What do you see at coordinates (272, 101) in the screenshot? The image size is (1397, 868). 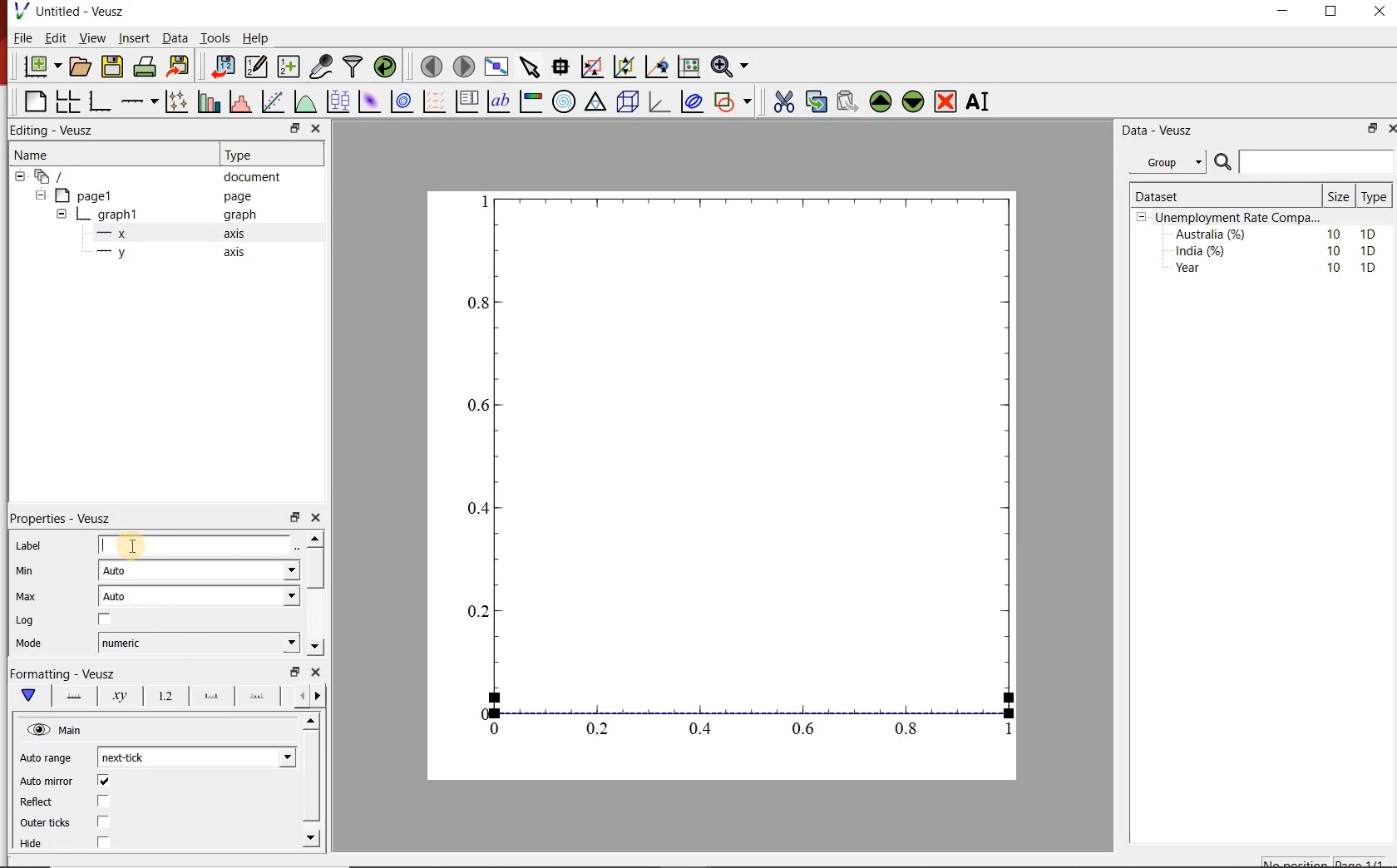 I see `fit a function` at bounding box center [272, 101].